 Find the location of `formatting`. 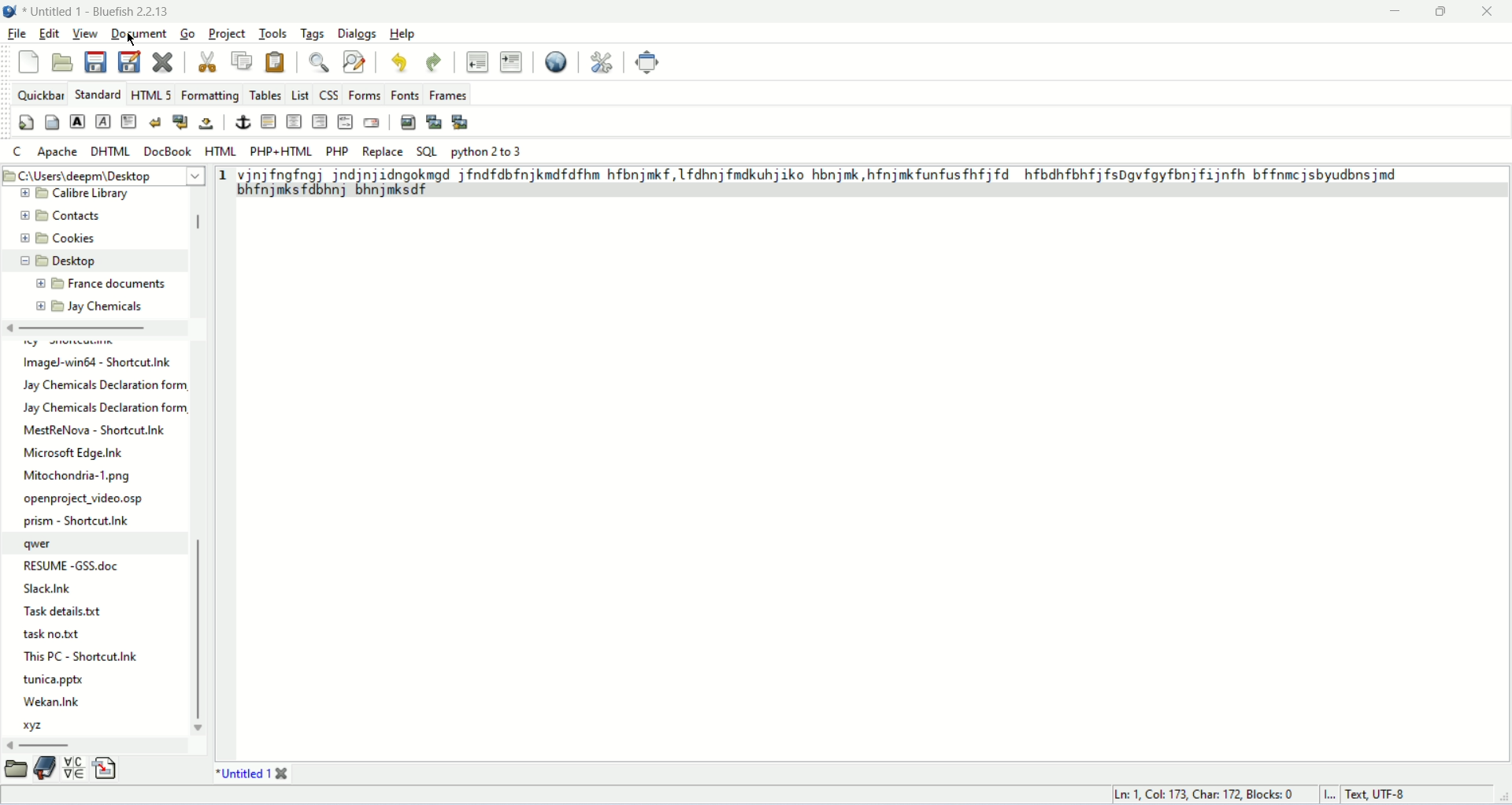

formatting is located at coordinates (211, 95).